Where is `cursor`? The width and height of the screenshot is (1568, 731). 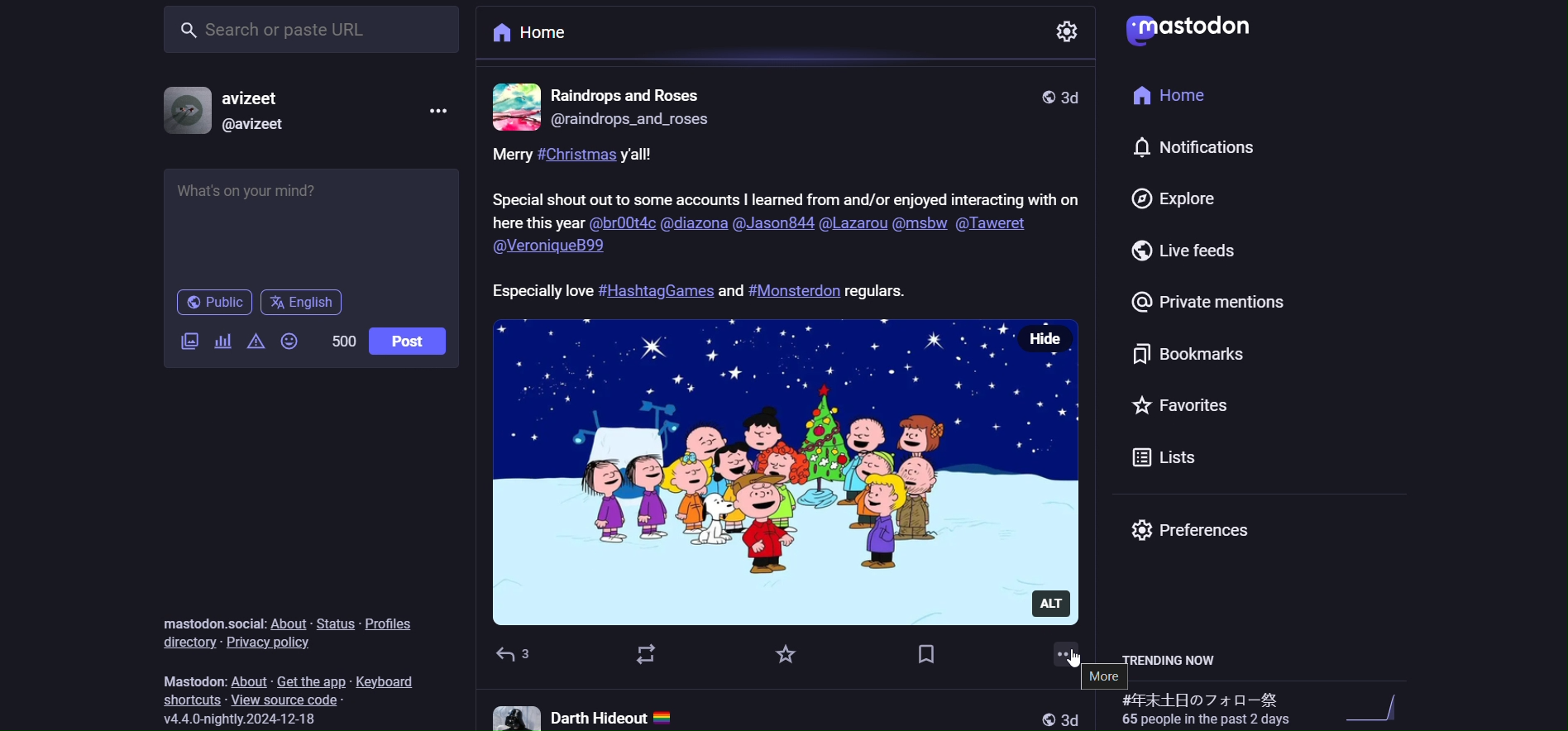
cursor is located at coordinates (1073, 659).